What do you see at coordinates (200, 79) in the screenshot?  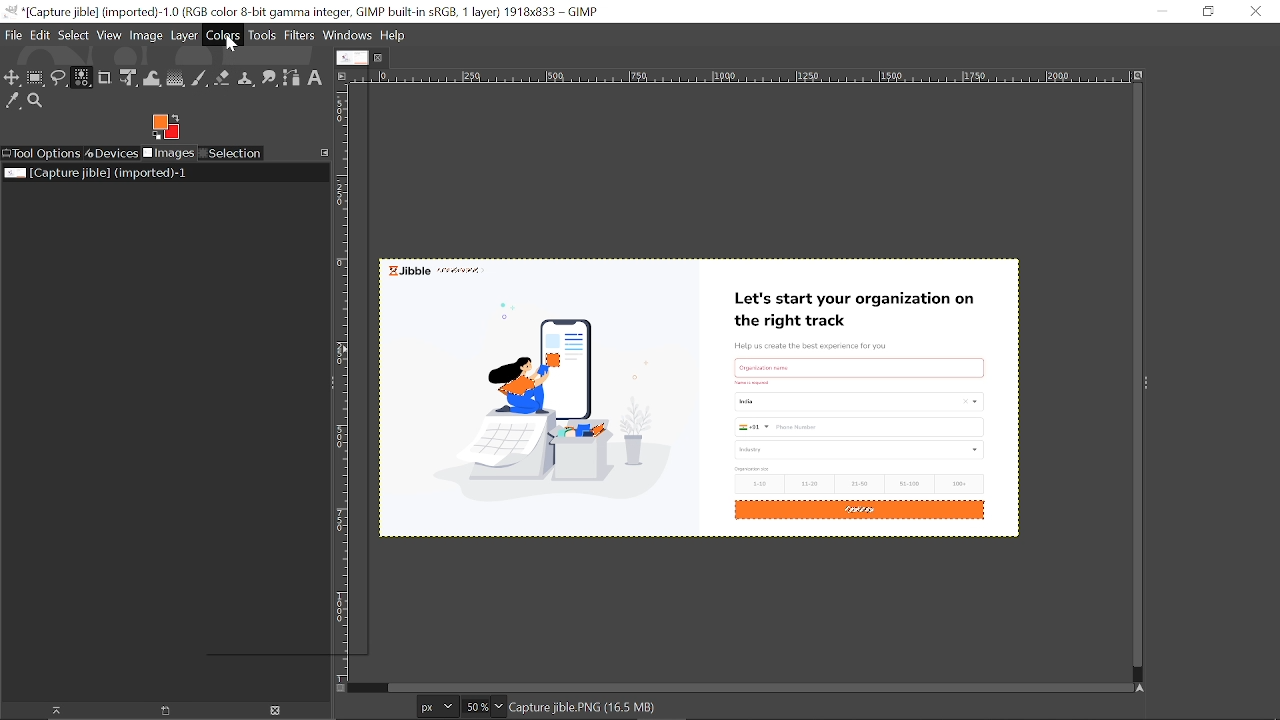 I see `Paintbrush tool` at bounding box center [200, 79].